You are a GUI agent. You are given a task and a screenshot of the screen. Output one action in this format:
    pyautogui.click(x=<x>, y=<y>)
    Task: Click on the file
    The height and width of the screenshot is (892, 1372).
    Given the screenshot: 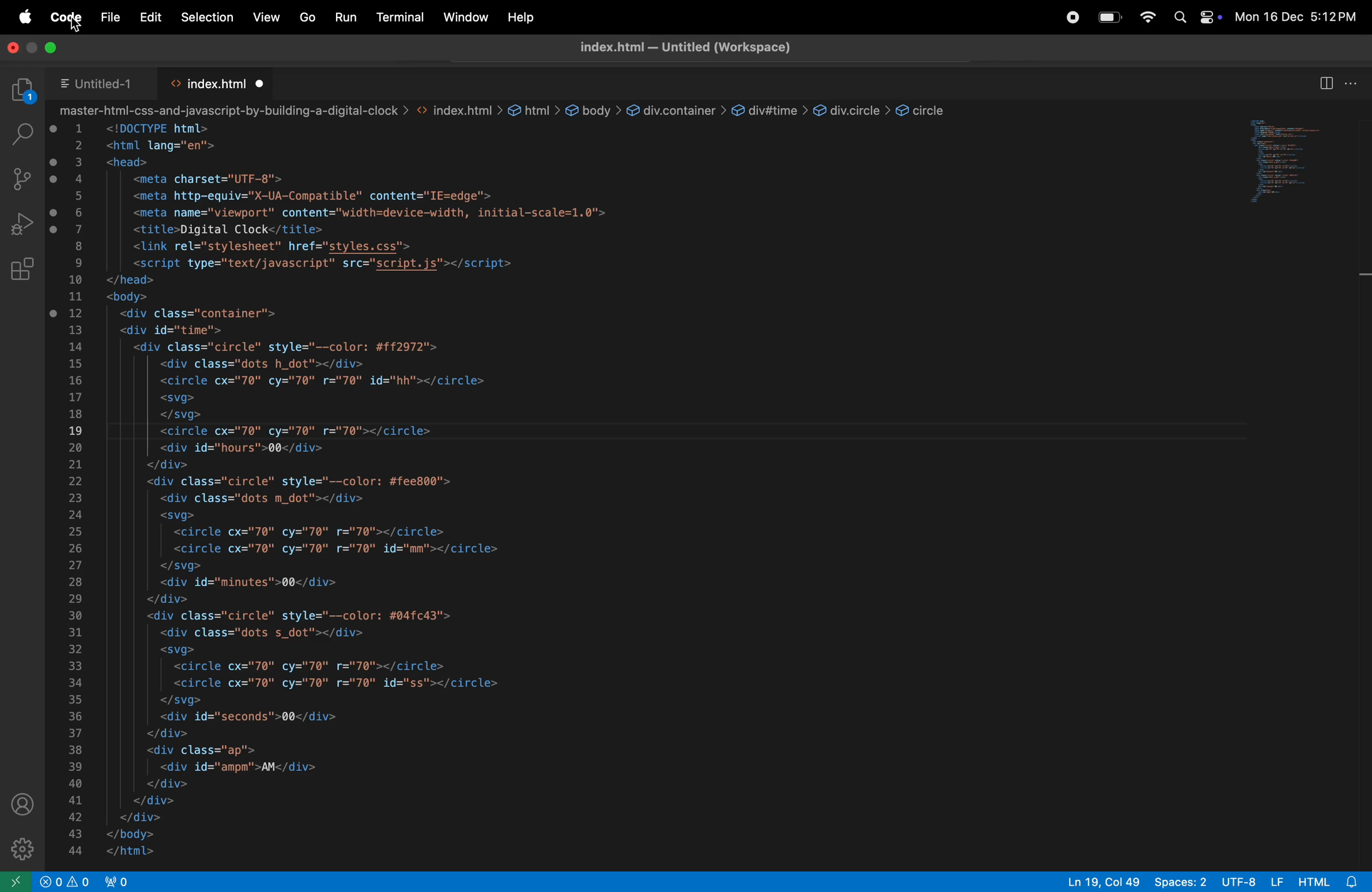 What is the action you would take?
    pyautogui.click(x=107, y=18)
    